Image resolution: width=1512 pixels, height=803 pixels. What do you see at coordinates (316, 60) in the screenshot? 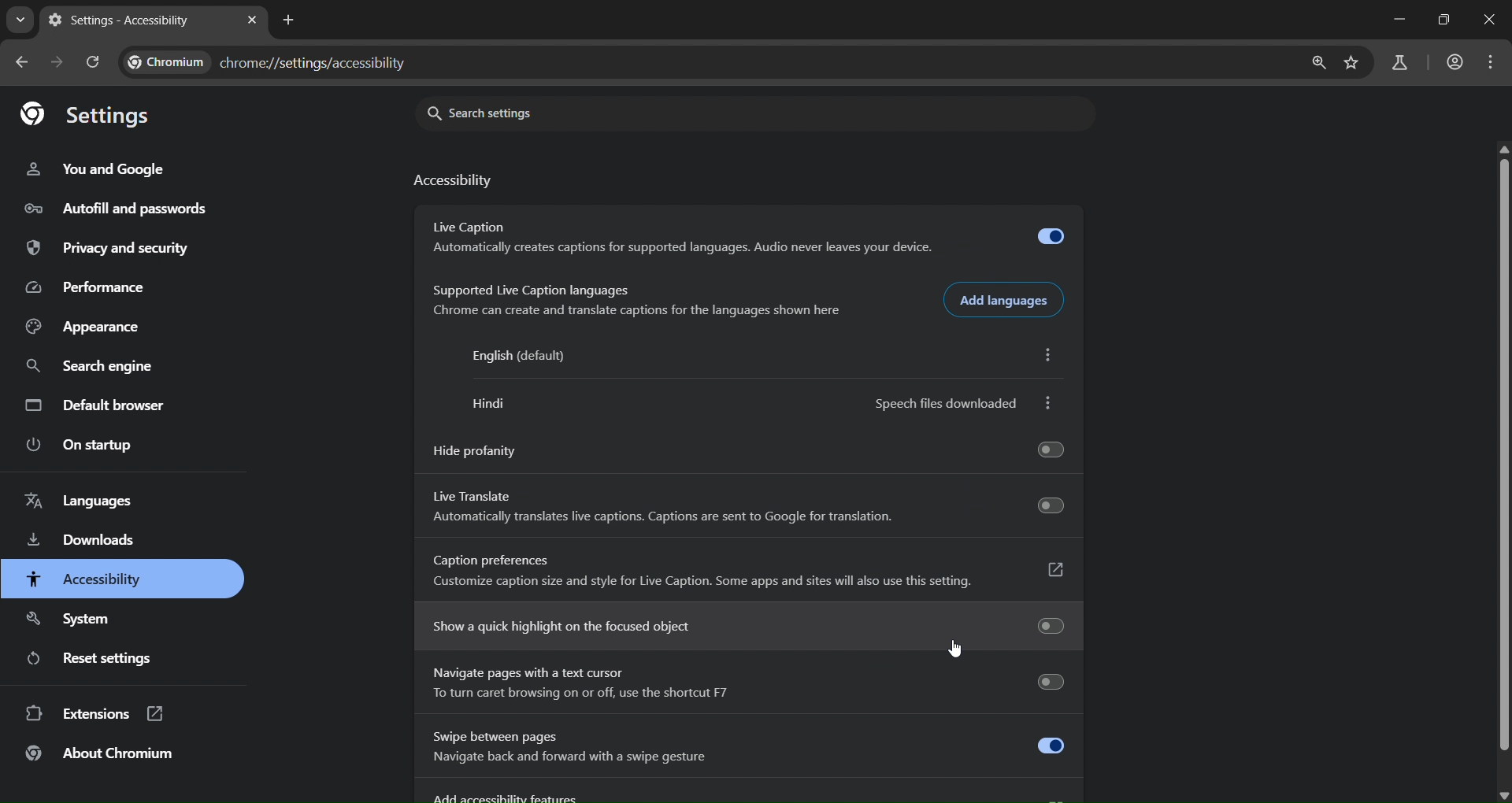
I see `chrome://settings/accessibility` at bounding box center [316, 60].